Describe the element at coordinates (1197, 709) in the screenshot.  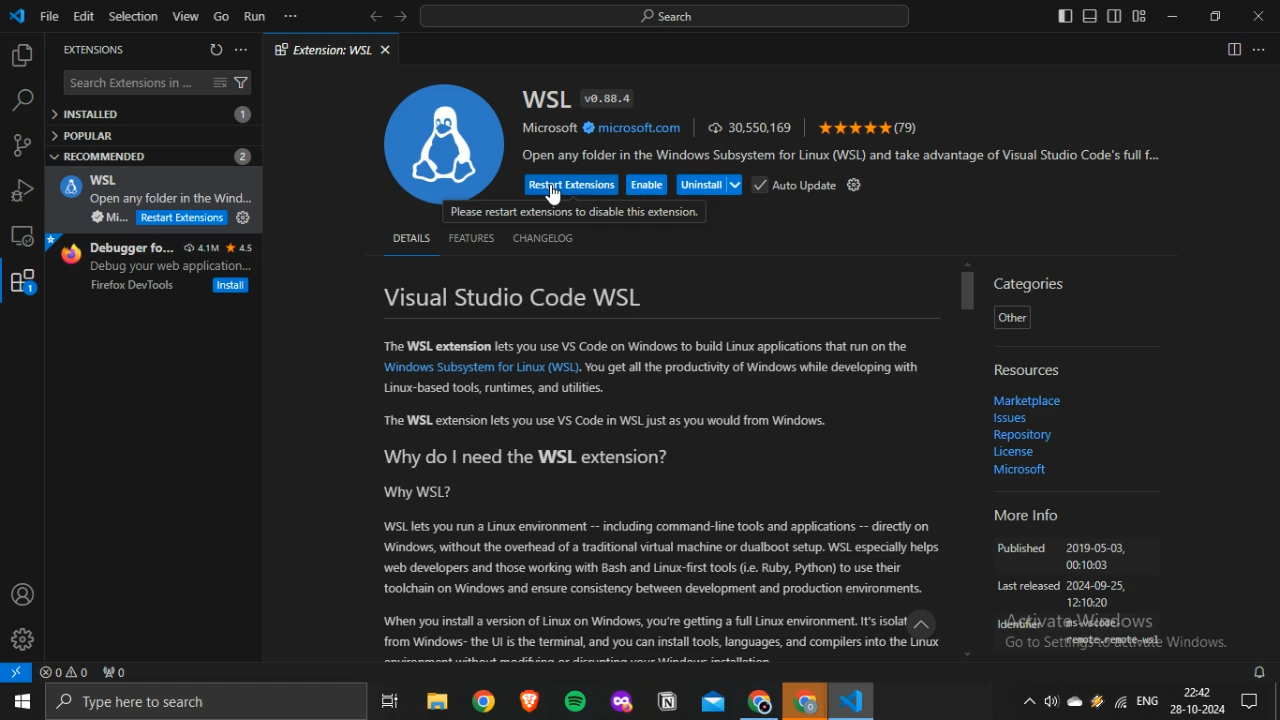
I see `28-10-2024` at that location.